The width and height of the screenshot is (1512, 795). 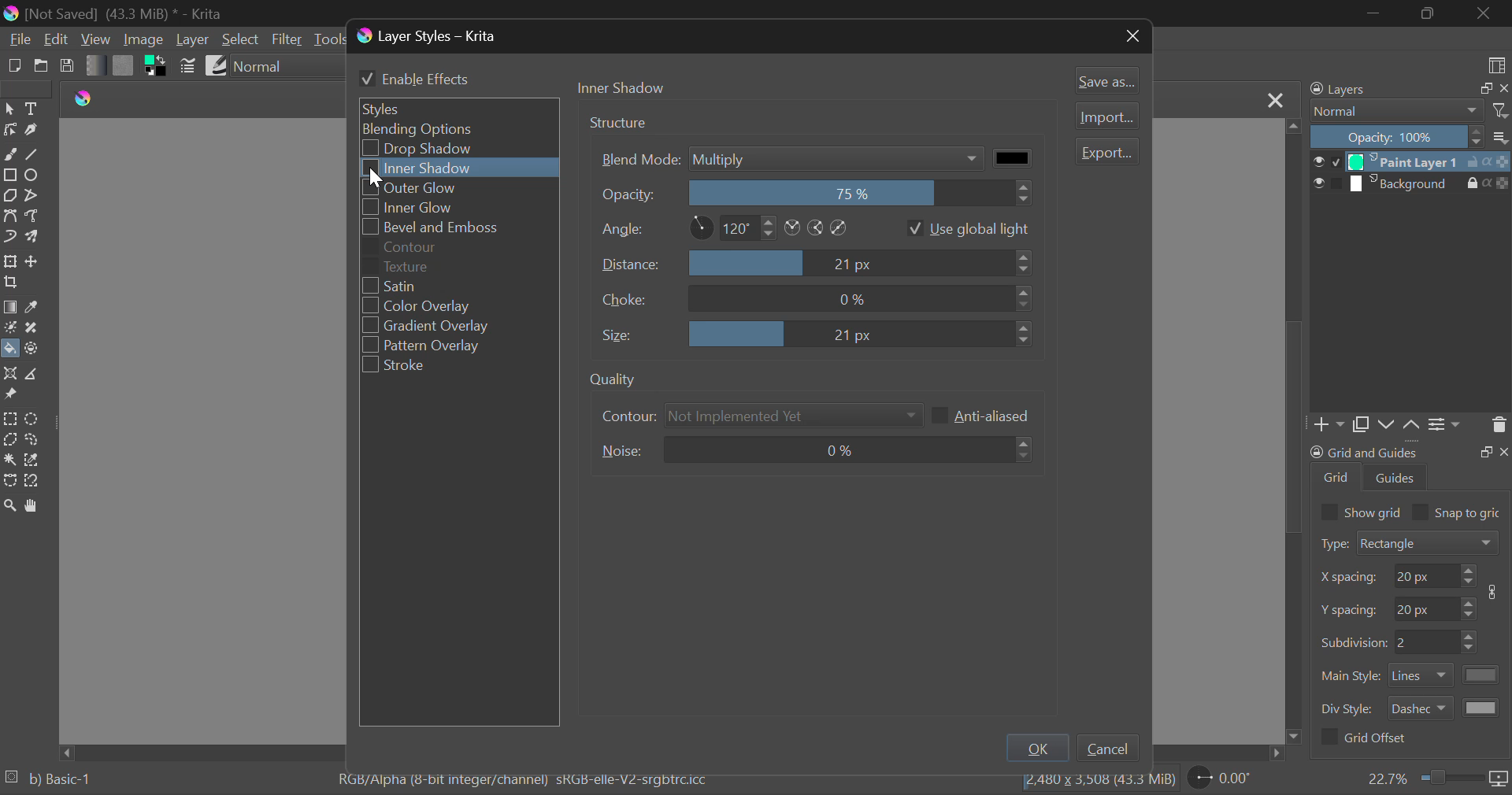 I want to click on Texture, so click(x=452, y=266).